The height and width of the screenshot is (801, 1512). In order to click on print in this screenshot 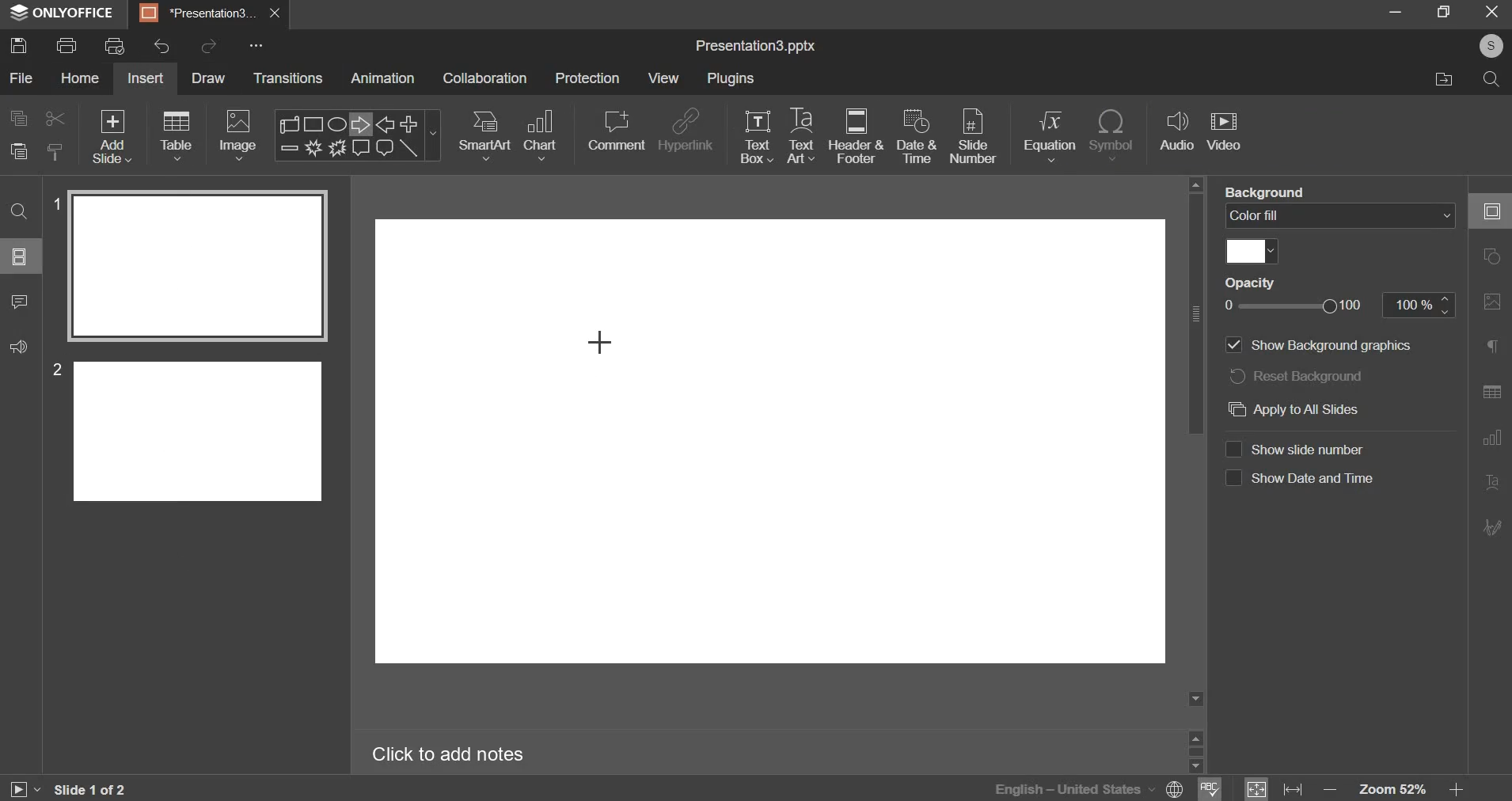, I will do `click(66, 45)`.